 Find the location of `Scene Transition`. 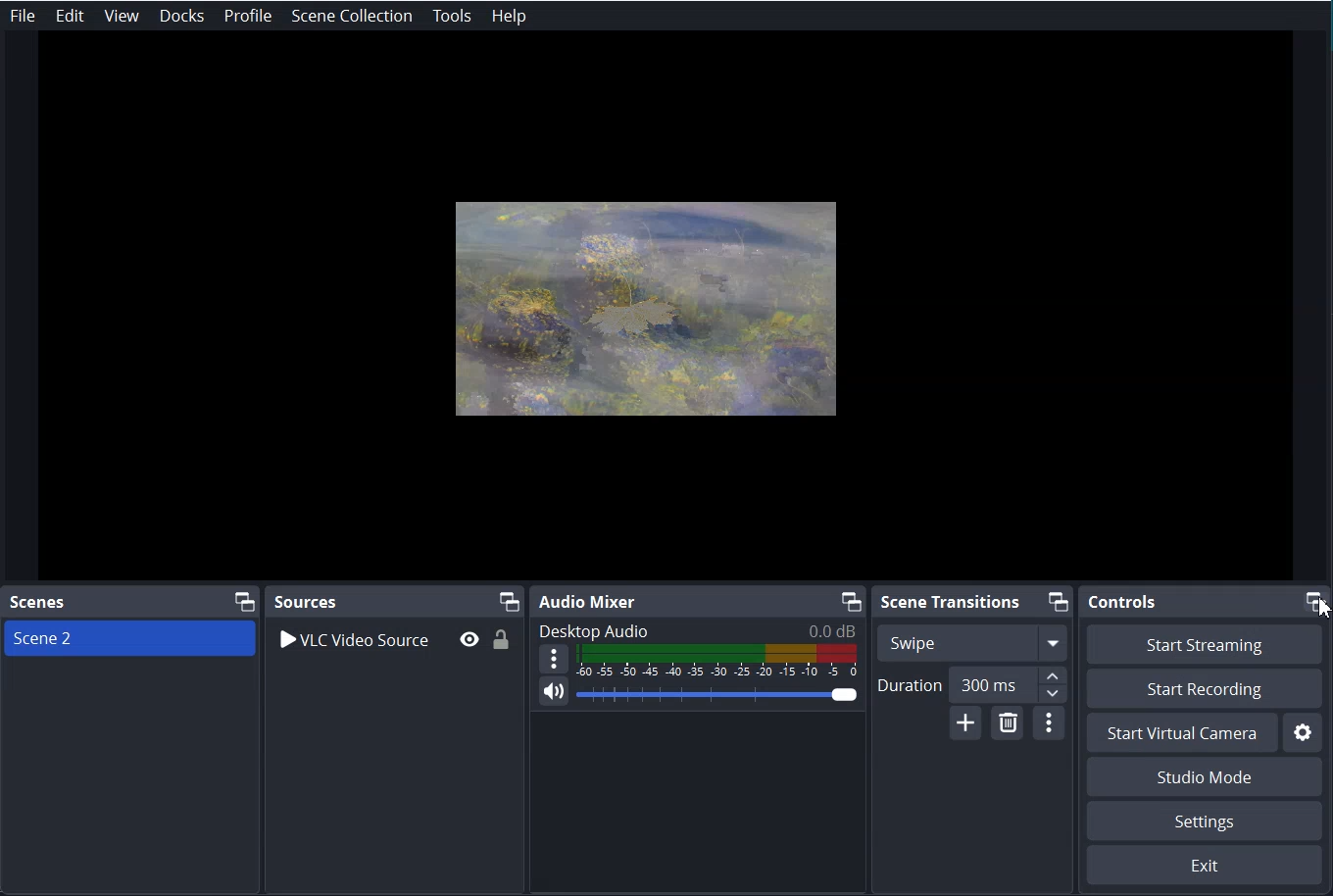

Scene Transition is located at coordinates (951, 602).